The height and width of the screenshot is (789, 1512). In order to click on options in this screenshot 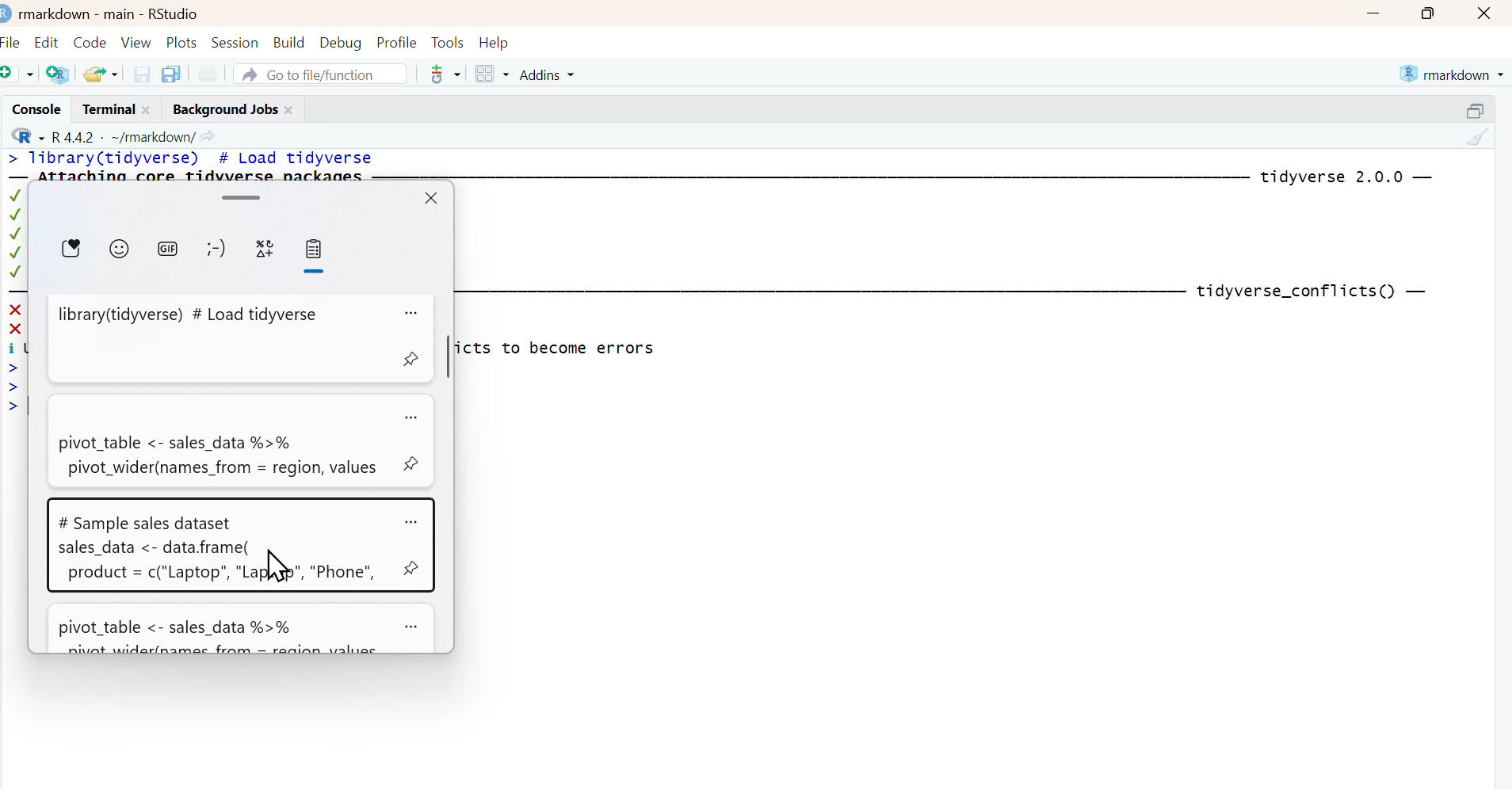, I will do `click(413, 627)`.